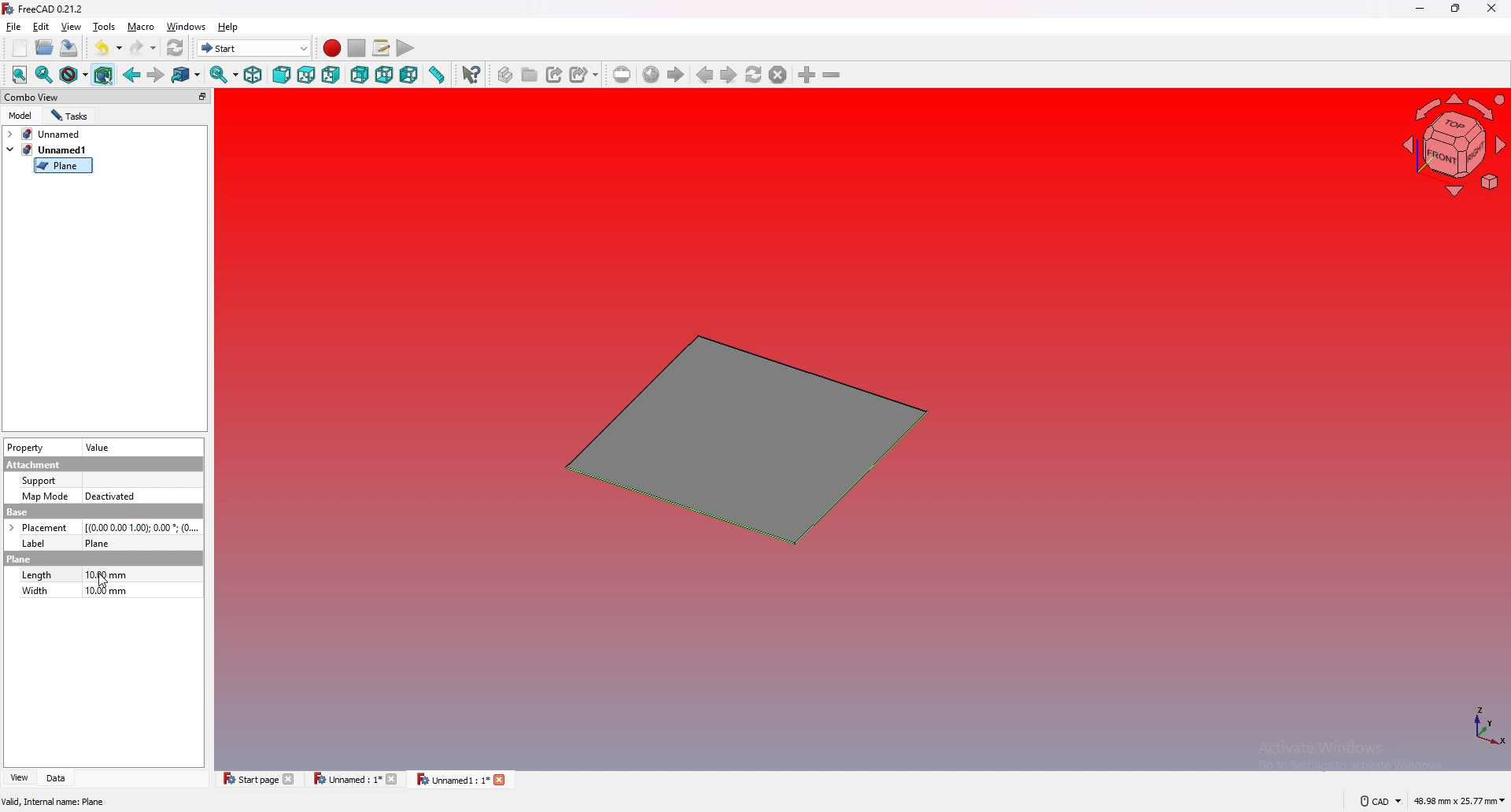  Describe the element at coordinates (19, 559) in the screenshot. I see `plane` at that location.